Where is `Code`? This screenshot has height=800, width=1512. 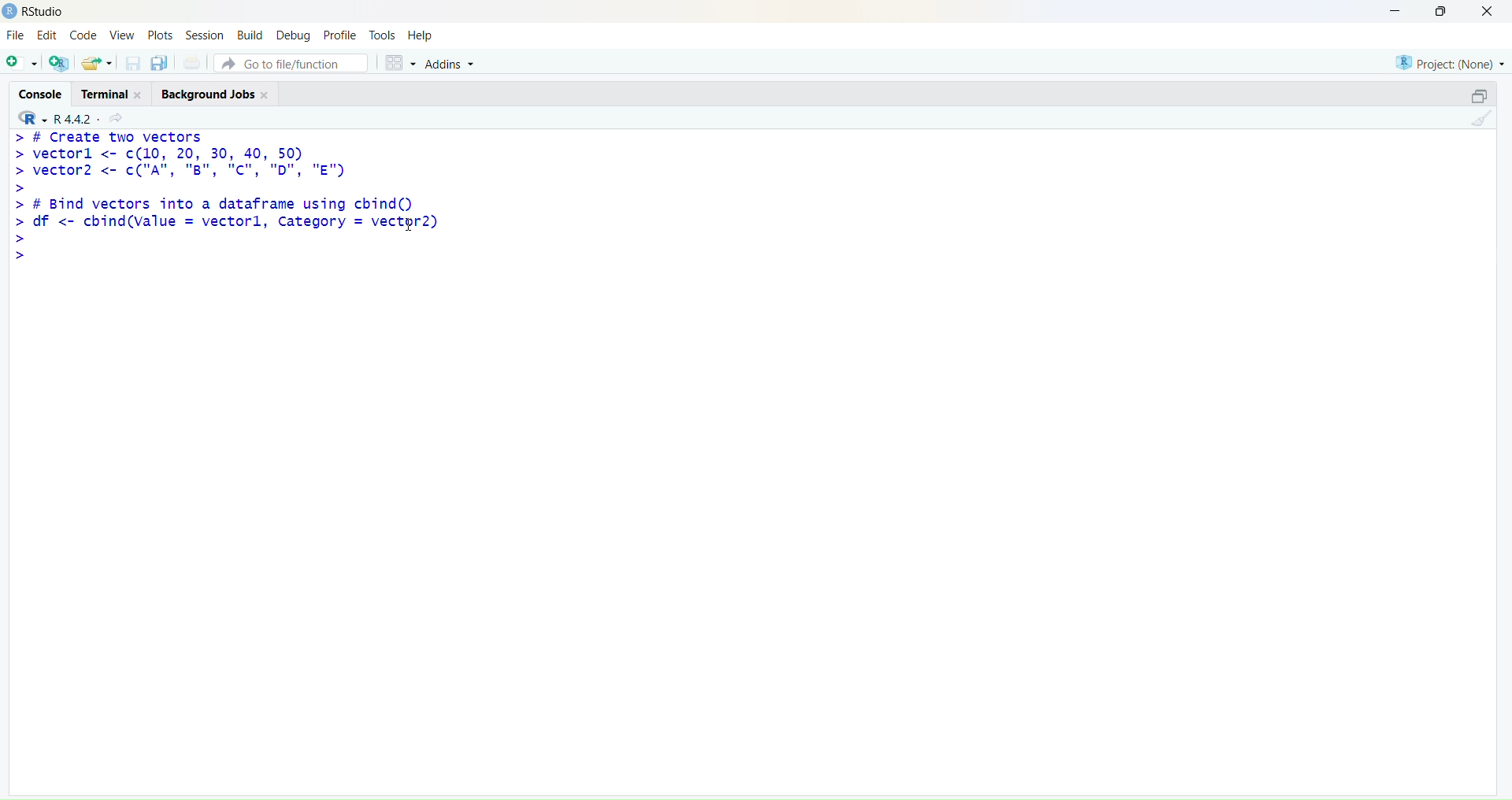
Code is located at coordinates (84, 34).